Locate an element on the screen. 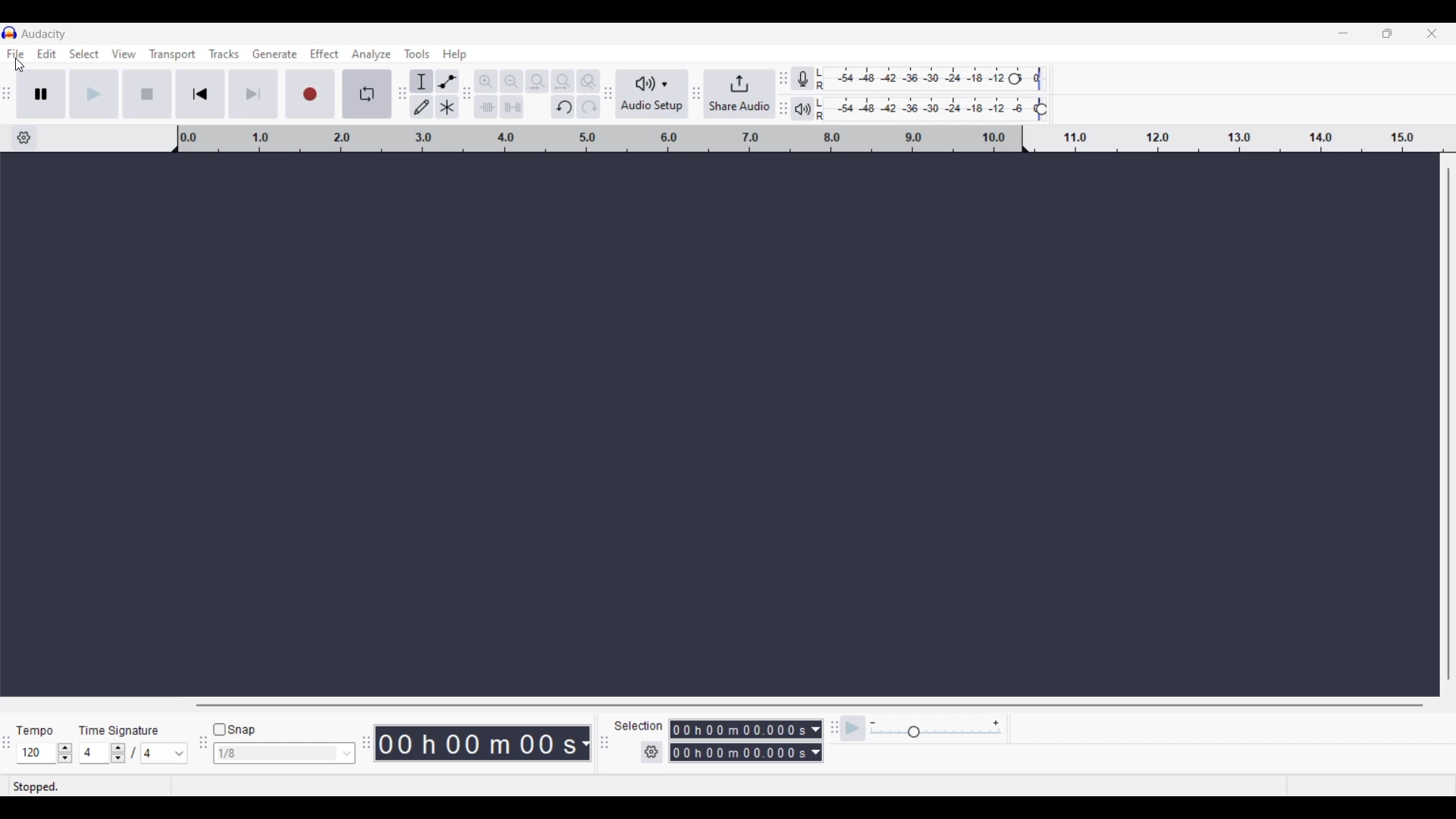 This screenshot has height=819, width=1456. Selection tool is located at coordinates (422, 81).